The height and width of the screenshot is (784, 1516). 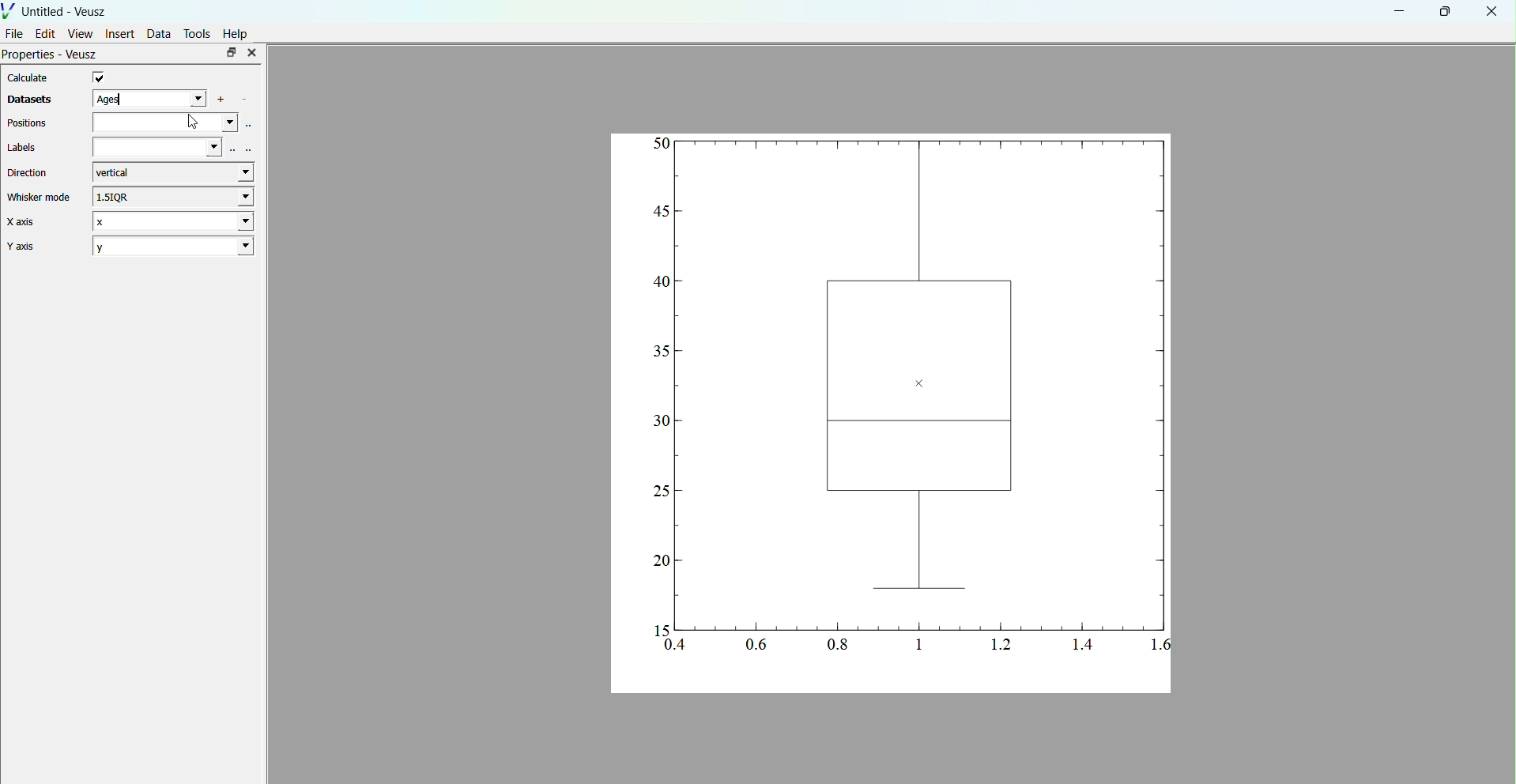 I want to click on labels field, so click(x=171, y=148).